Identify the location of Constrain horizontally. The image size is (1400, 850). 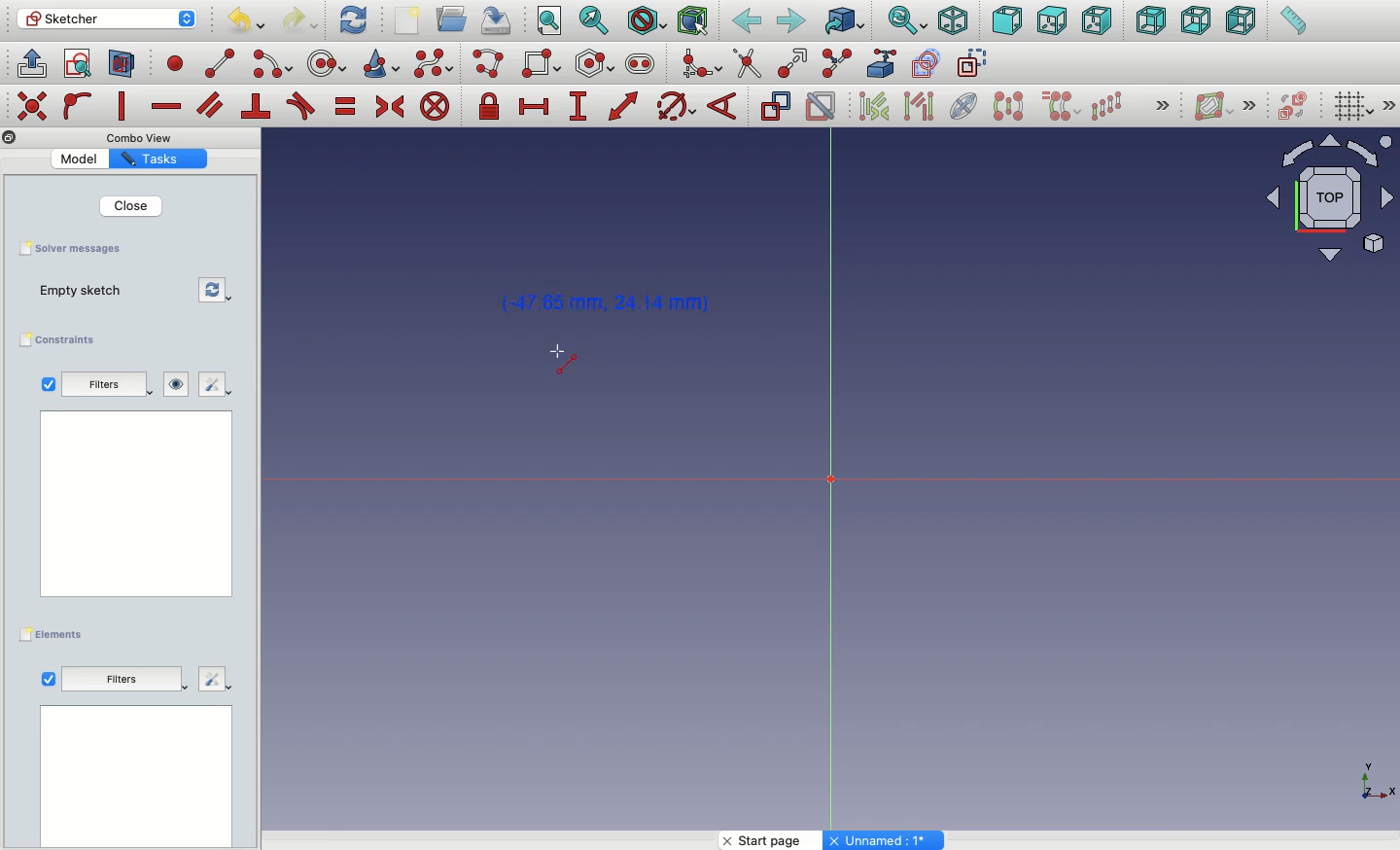
(165, 108).